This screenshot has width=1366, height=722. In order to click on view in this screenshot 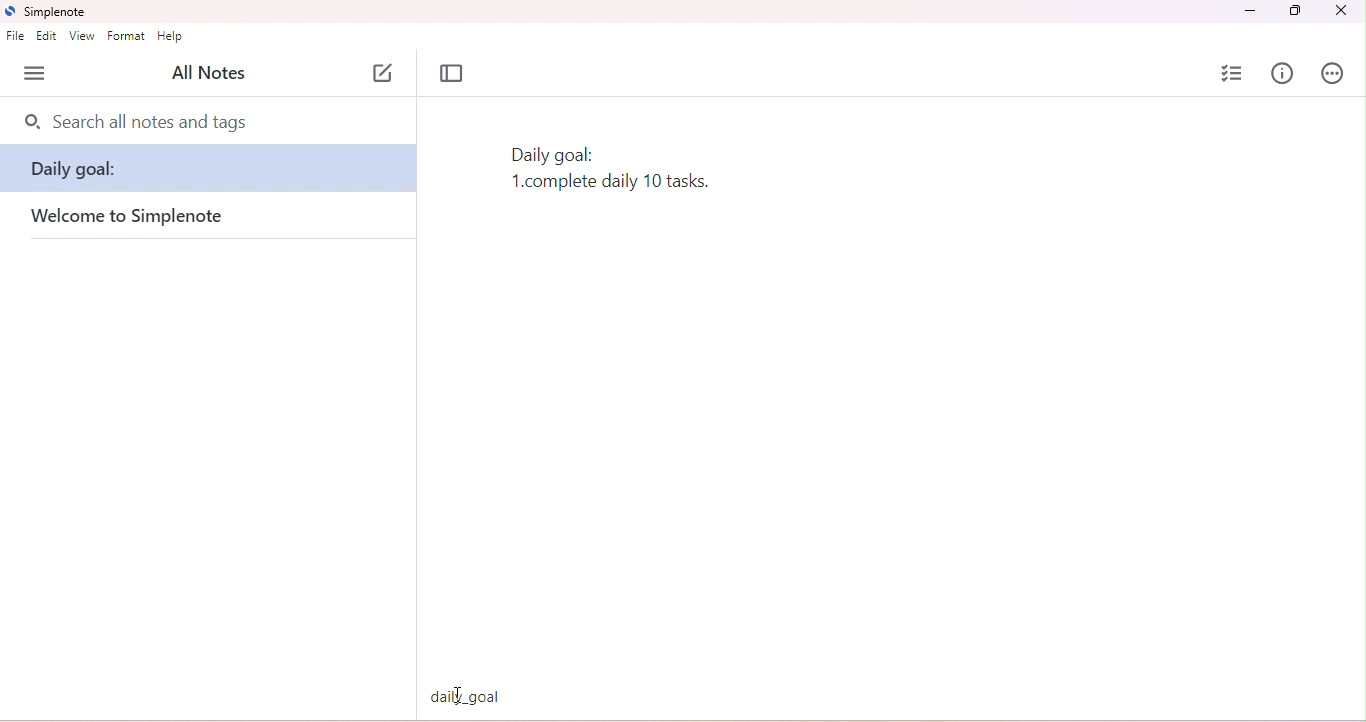, I will do `click(83, 36)`.